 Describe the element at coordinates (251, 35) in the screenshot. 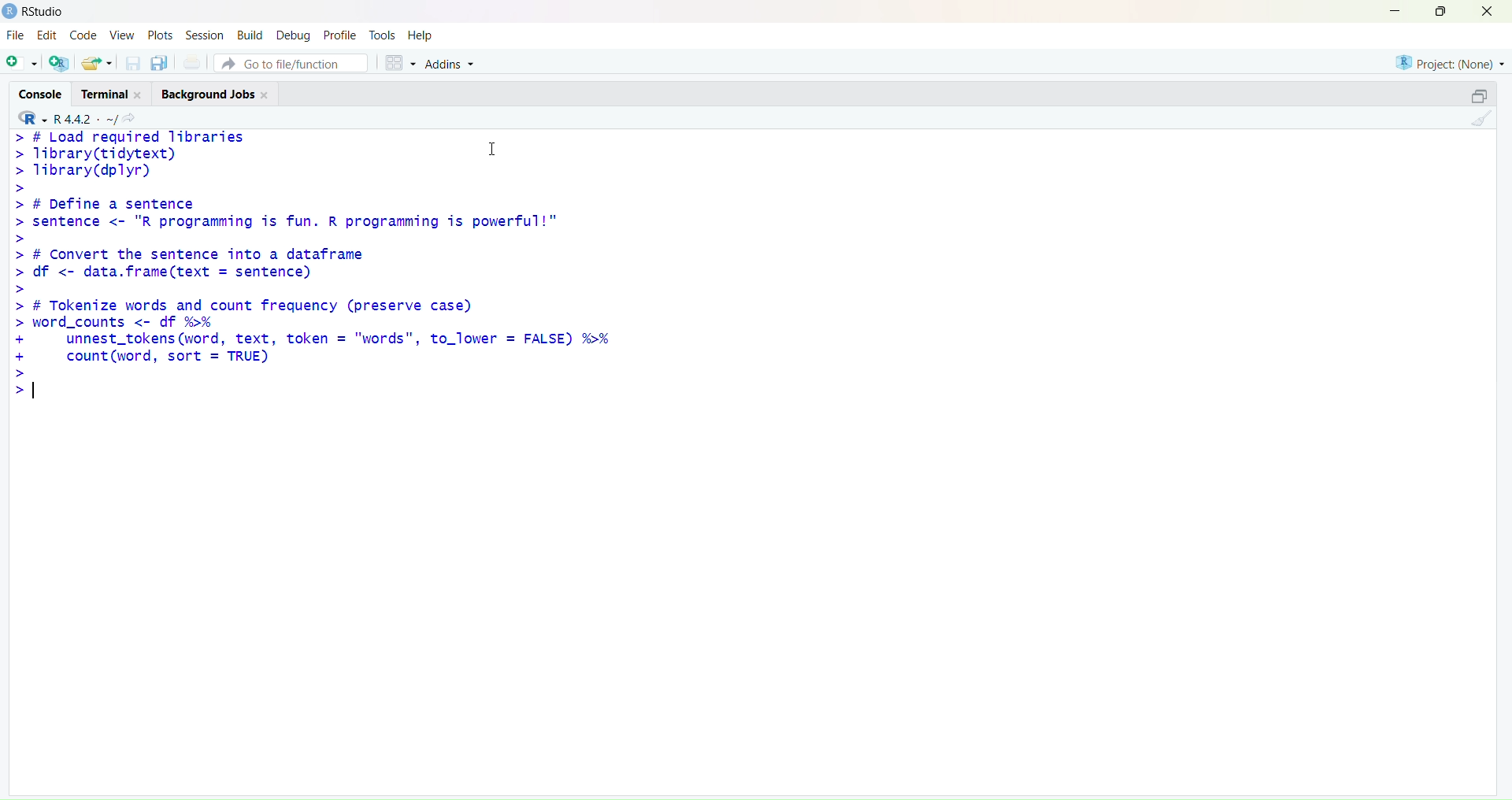

I see `build` at that location.